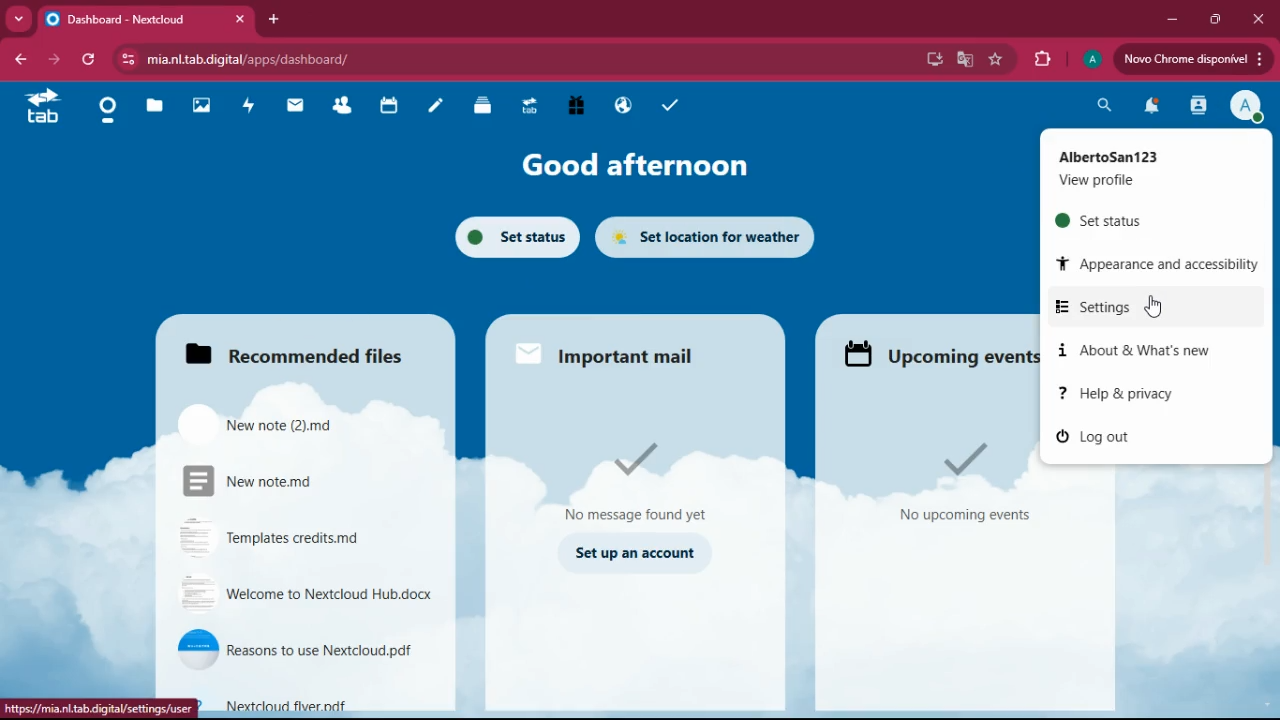  I want to click on back, so click(18, 60).